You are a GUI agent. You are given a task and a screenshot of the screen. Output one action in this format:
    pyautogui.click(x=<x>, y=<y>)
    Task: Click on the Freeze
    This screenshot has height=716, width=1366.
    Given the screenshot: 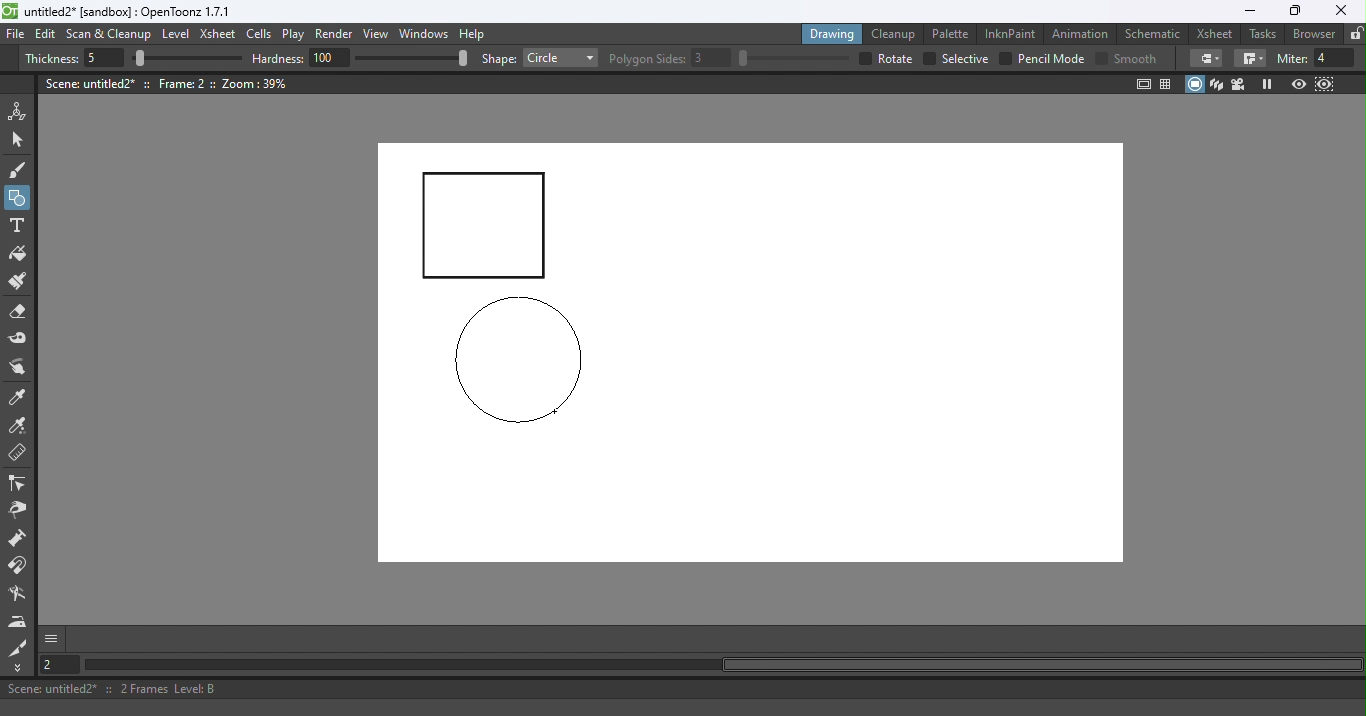 What is the action you would take?
    pyautogui.click(x=1267, y=84)
    